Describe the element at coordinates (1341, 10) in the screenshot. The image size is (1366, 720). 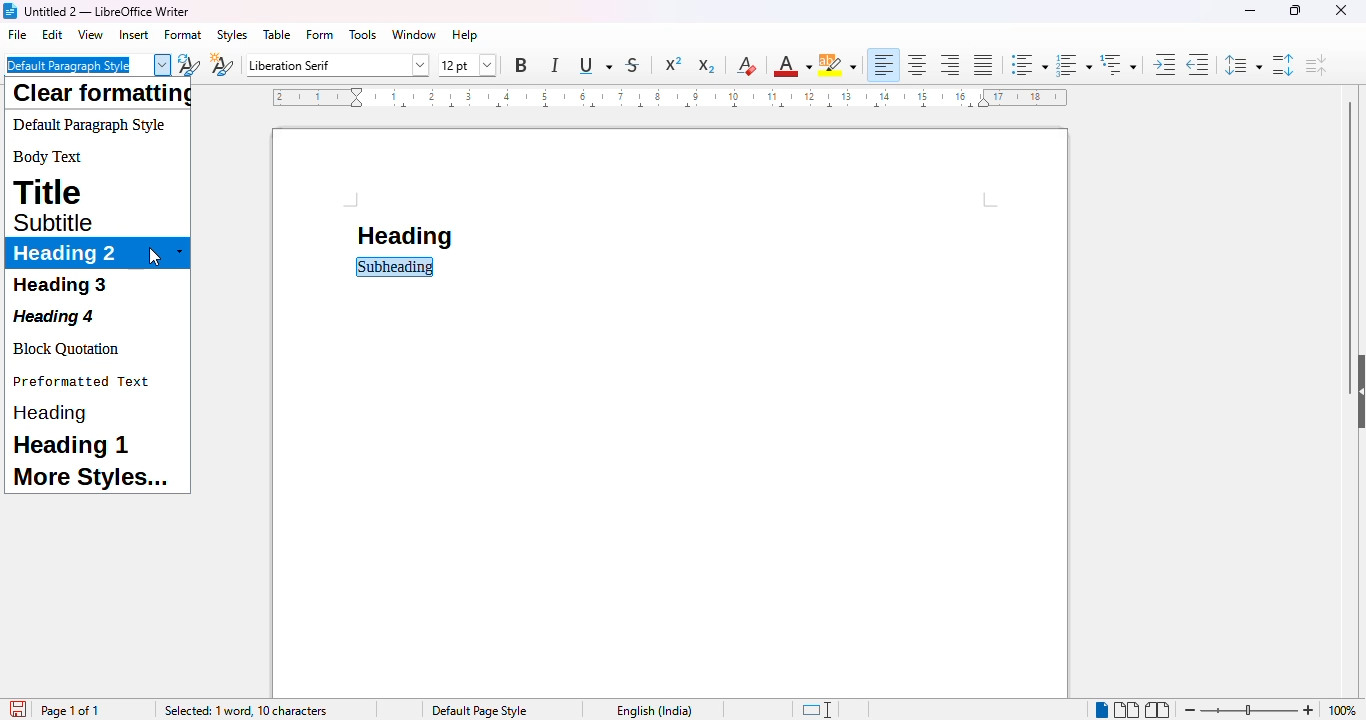
I see `close` at that location.